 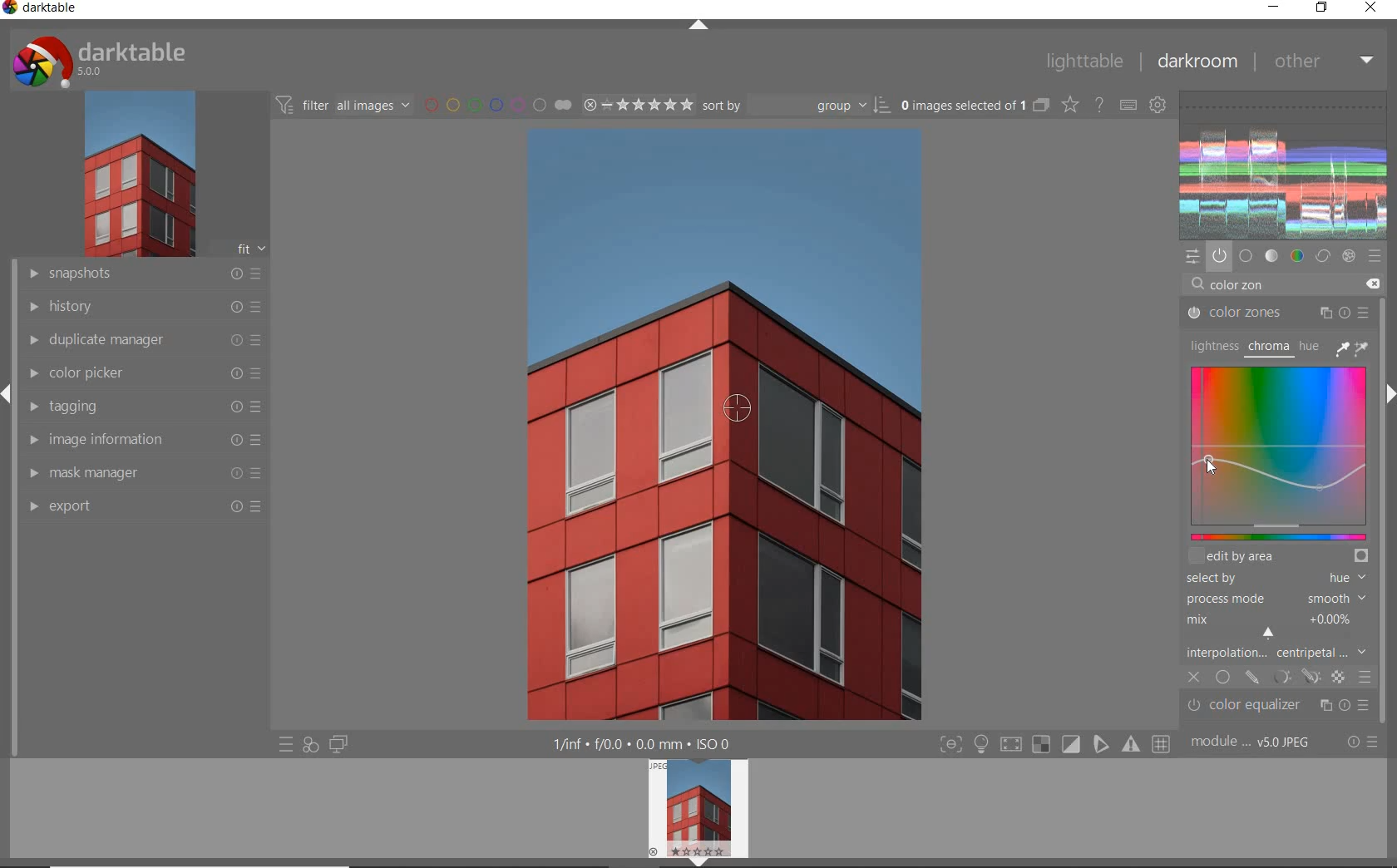 I want to click on display information, so click(x=643, y=744).